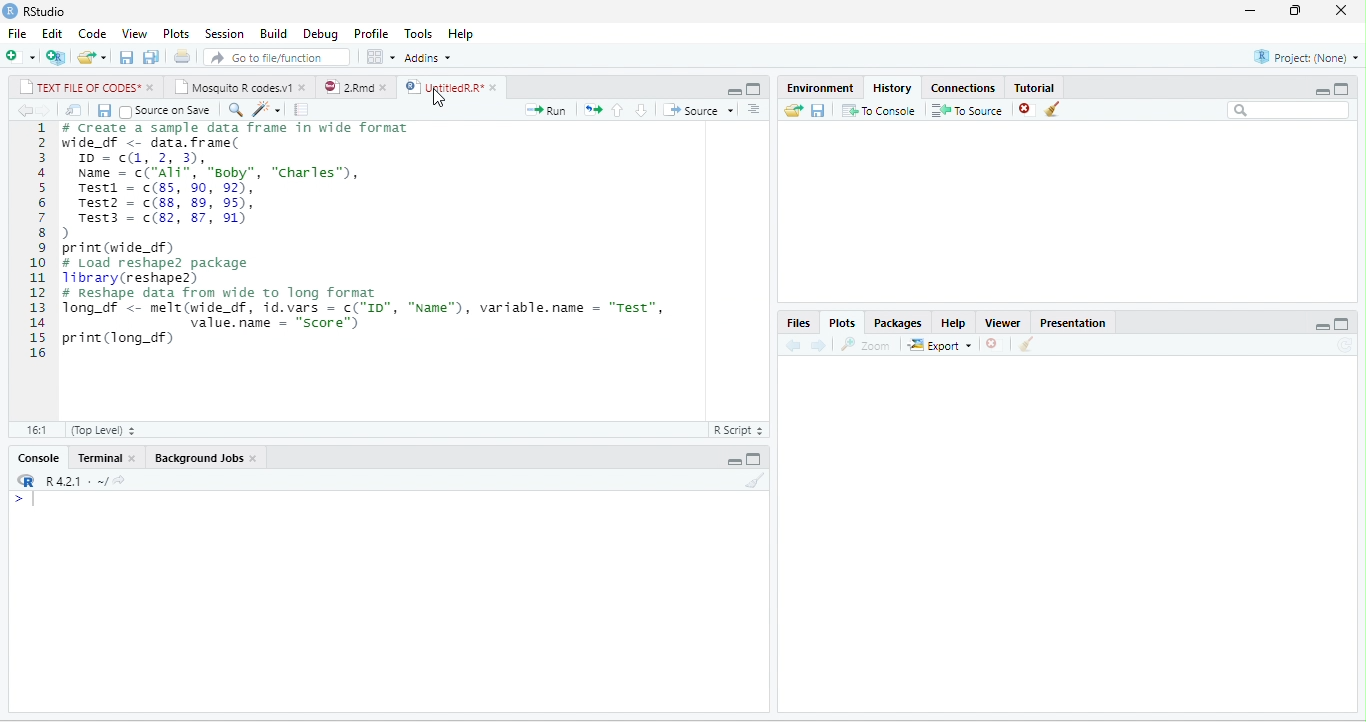 This screenshot has width=1366, height=722. What do you see at coordinates (757, 112) in the screenshot?
I see `down` at bounding box center [757, 112].